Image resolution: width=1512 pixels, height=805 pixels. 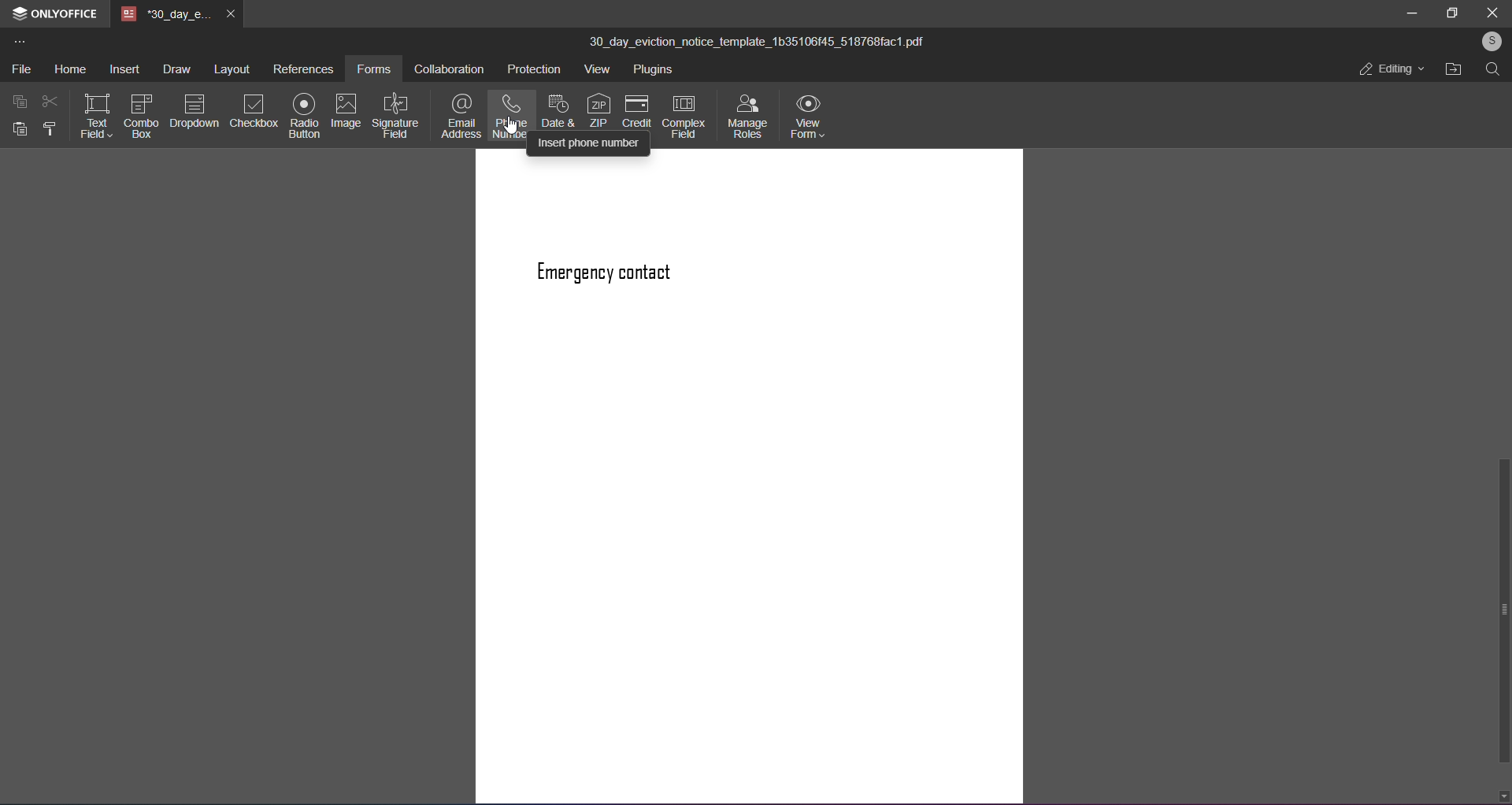 What do you see at coordinates (1388, 72) in the screenshot?
I see `editing` at bounding box center [1388, 72].